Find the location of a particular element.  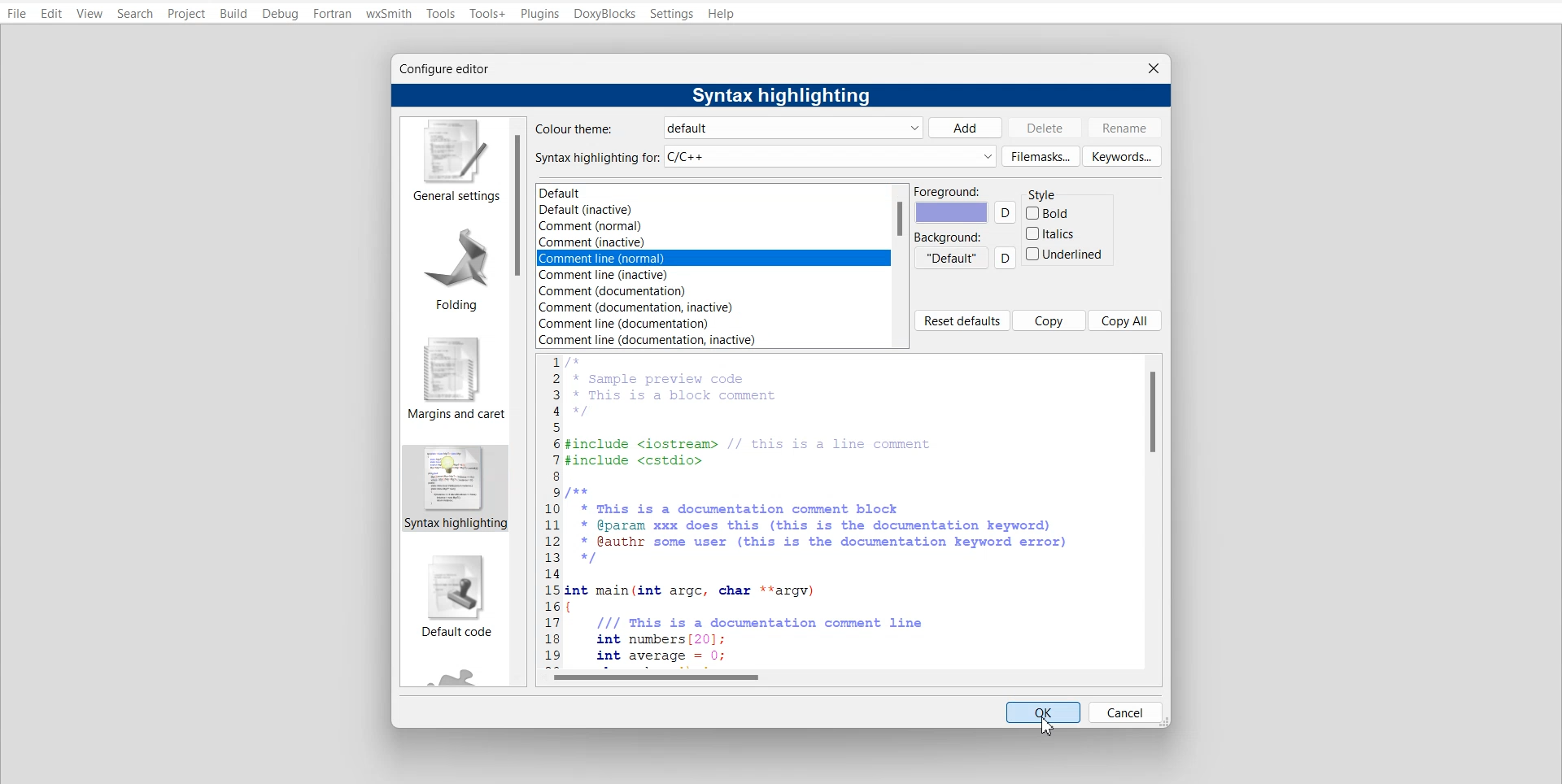

Configure editor is located at coordinates (455, 71).